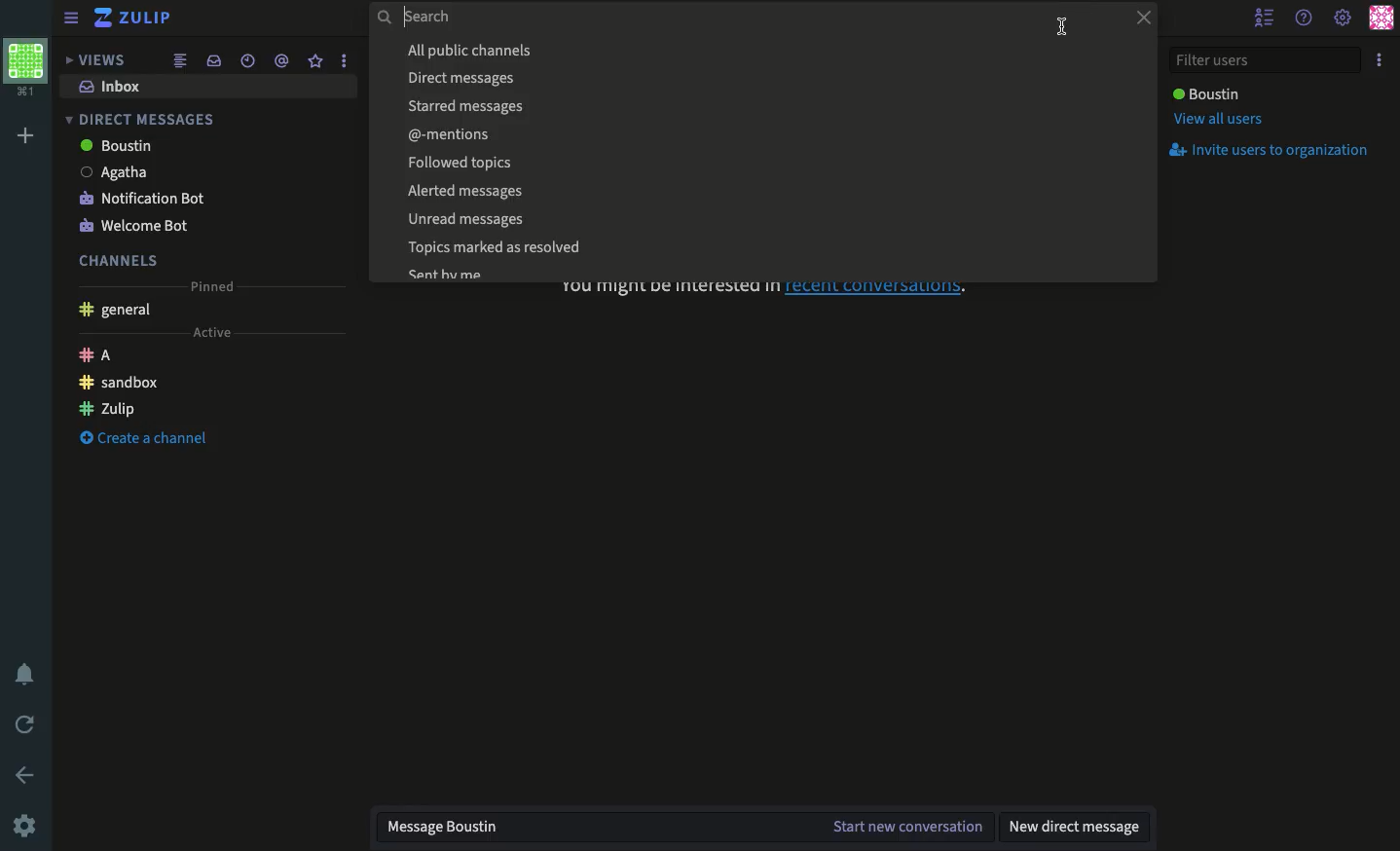 The image size is (1400, 851). I want to click on cursor, so click(1061, 26).